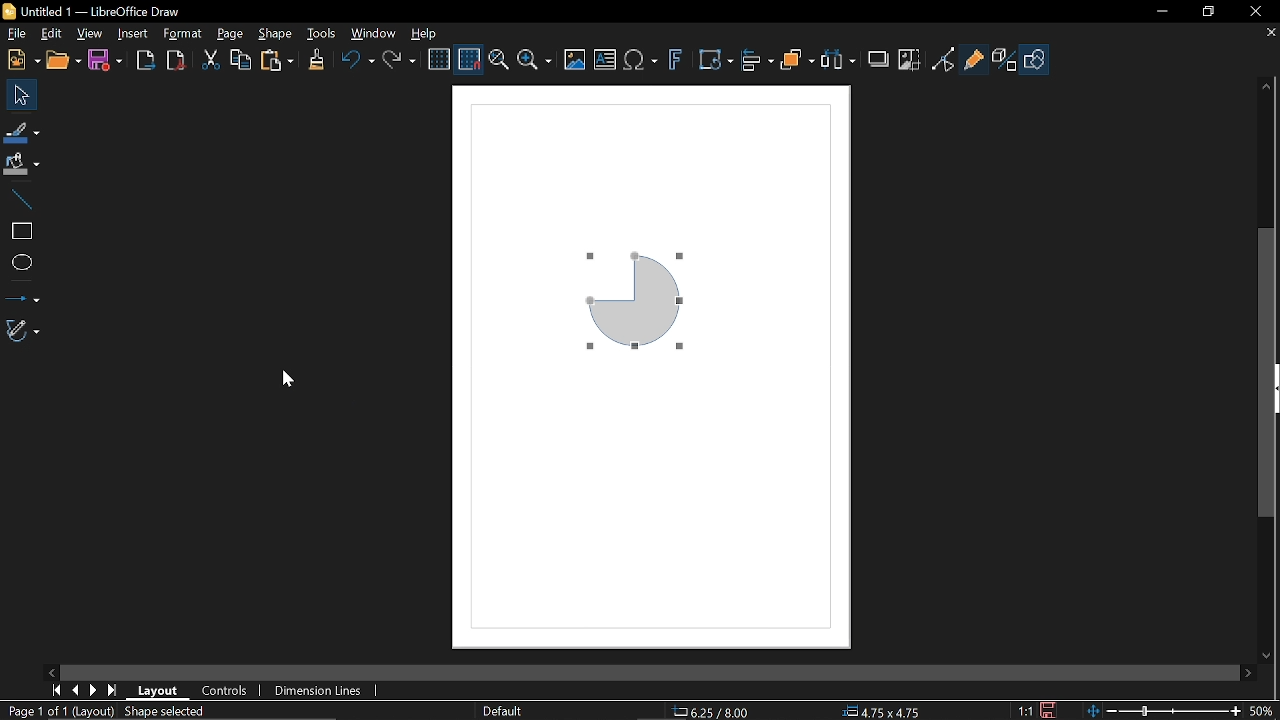 The width and height of the screenshot is (1280, 720). Describe the element at coordinates (25, 331) in the screenshot. I see `Curves and polygons` at that location.